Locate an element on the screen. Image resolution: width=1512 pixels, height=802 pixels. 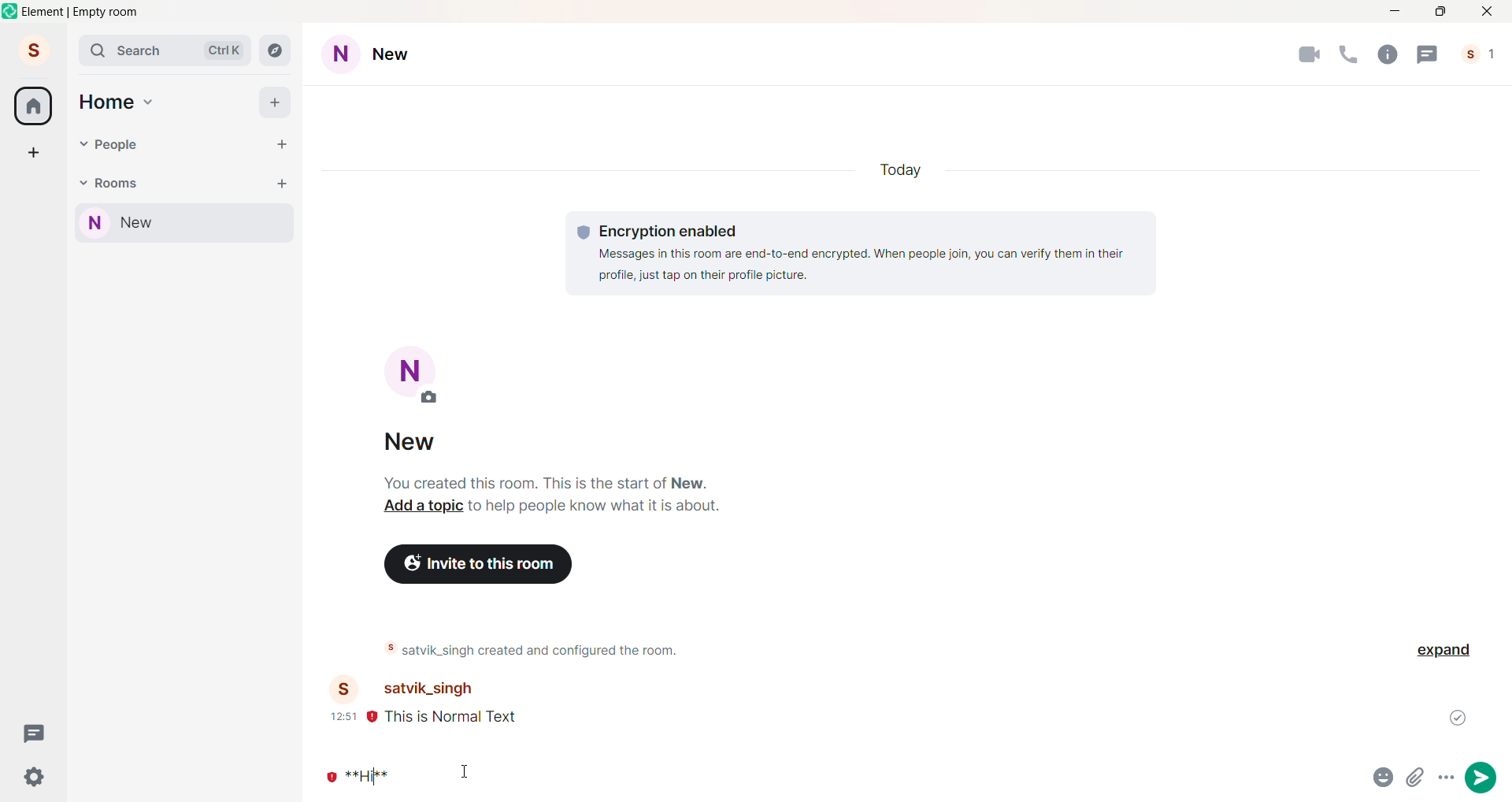
Logo is located at coordinates (11, 11).